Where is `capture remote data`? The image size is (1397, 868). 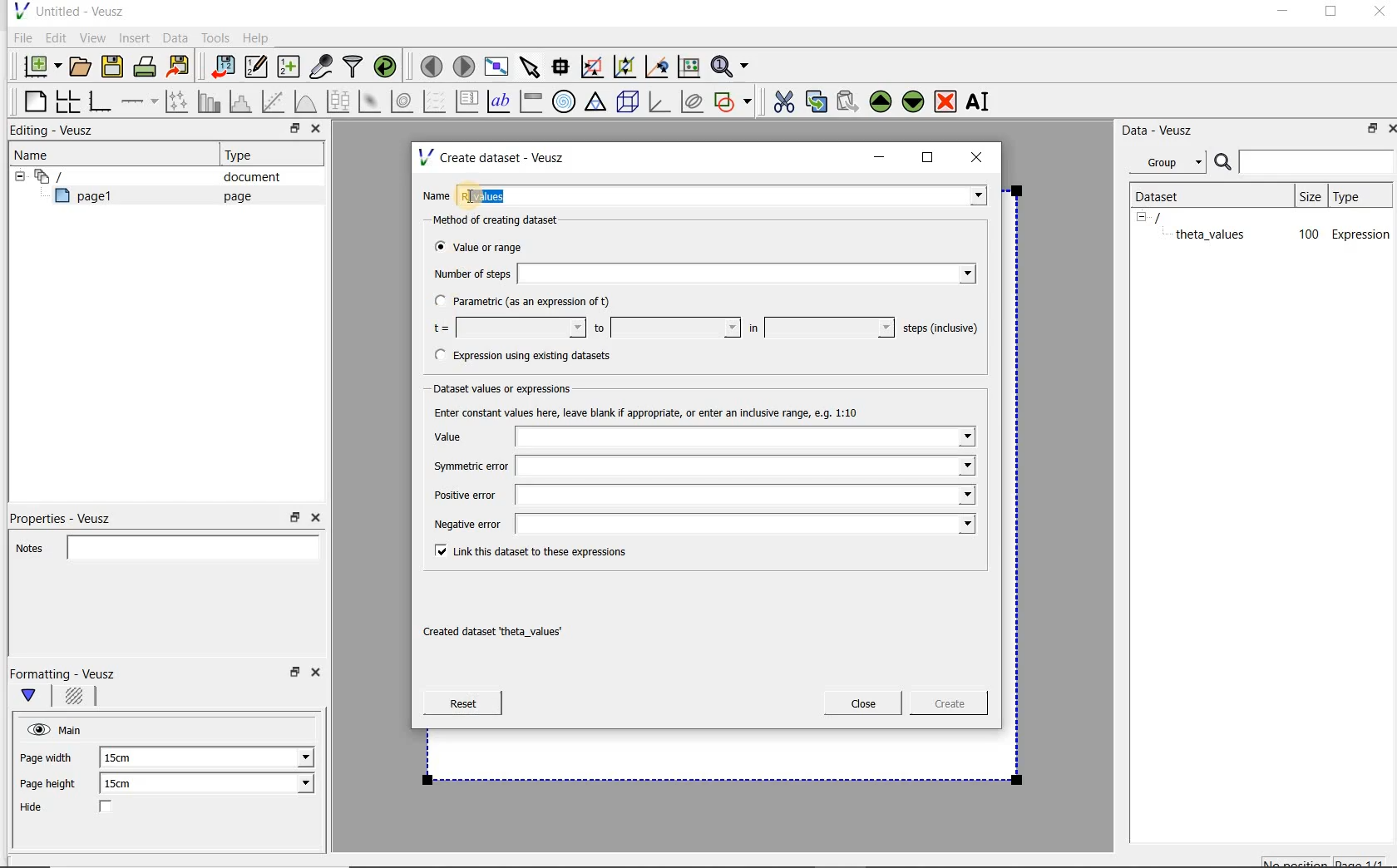
capture remote data is located at coordinates (322, 69).